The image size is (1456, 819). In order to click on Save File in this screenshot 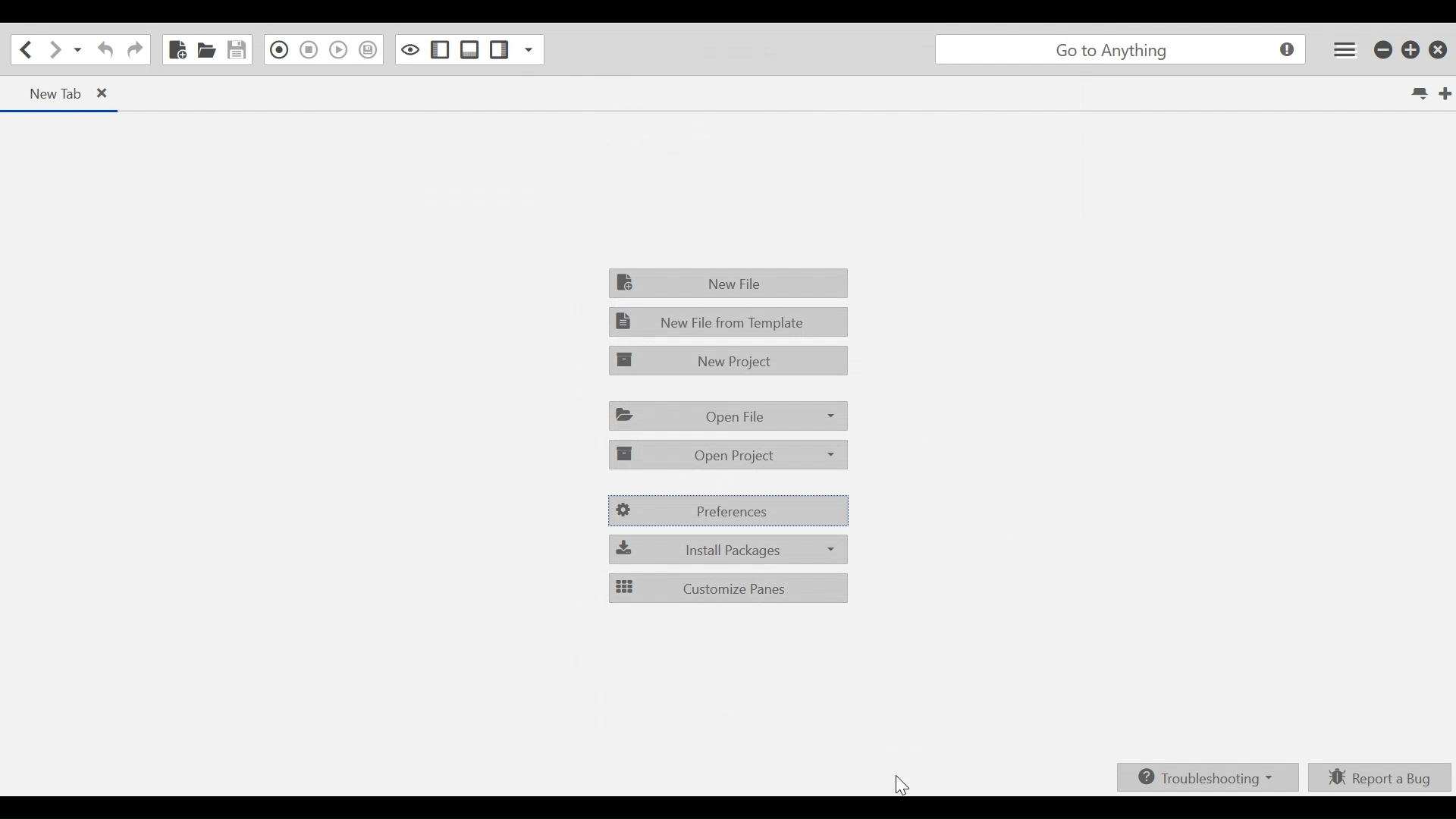, I will do `click(236, 50)`.